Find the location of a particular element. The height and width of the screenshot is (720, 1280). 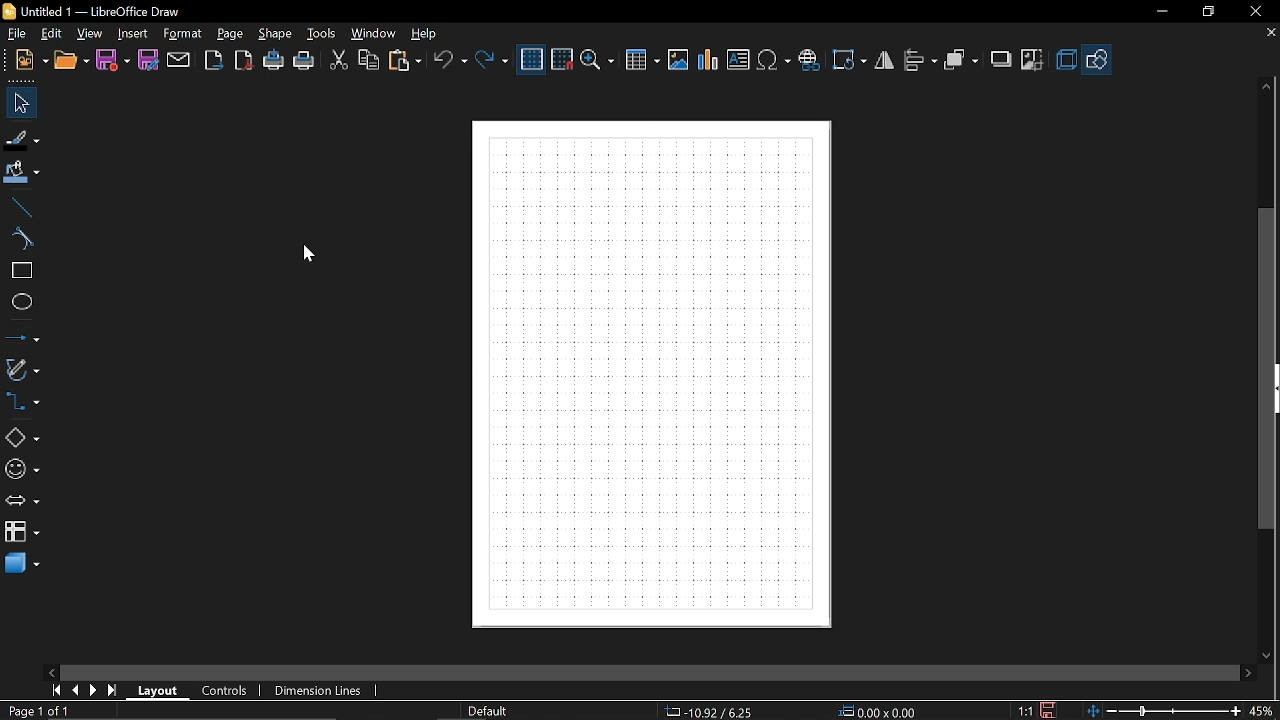

shadow is located at coordinates (999, 60).